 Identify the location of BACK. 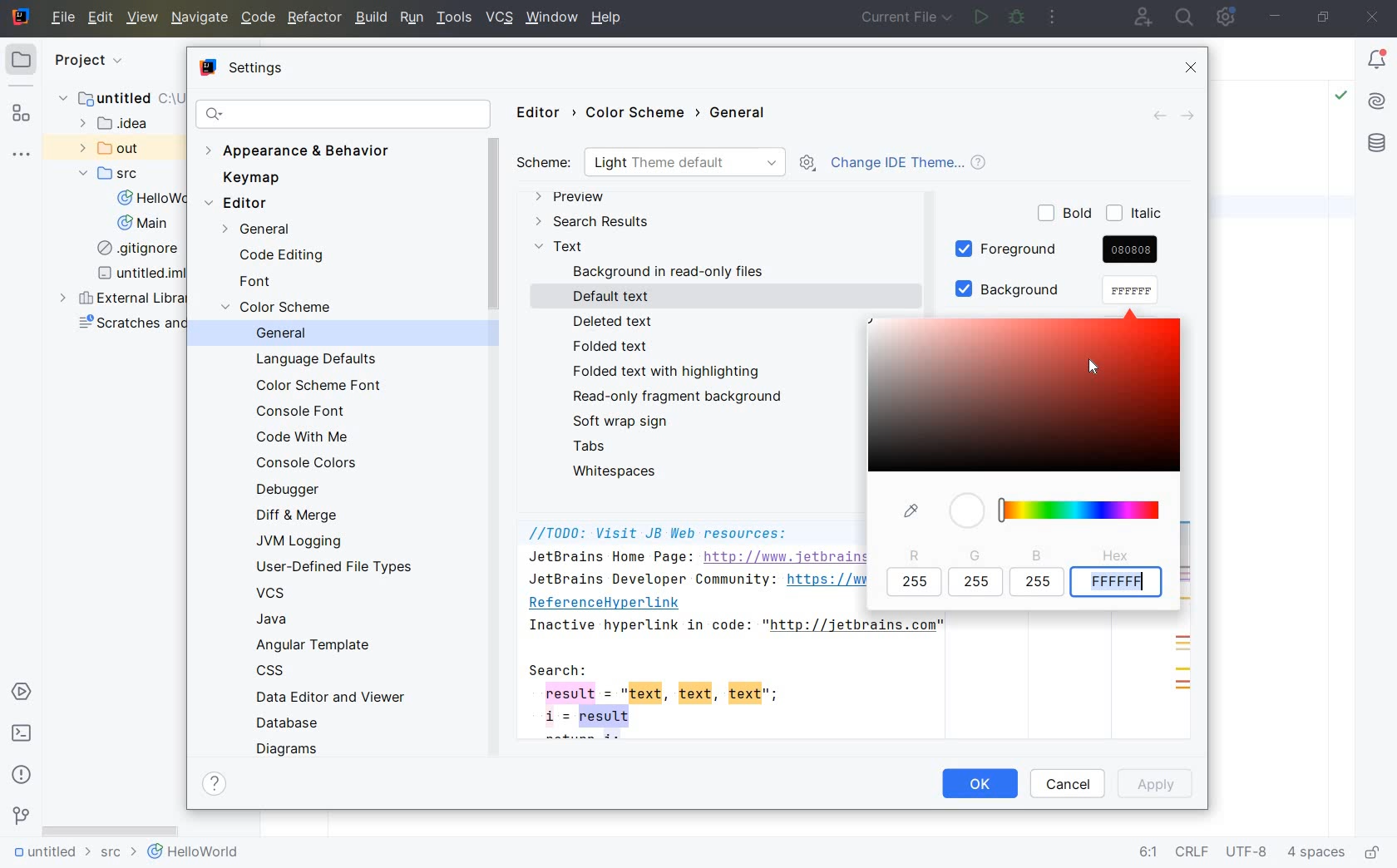
(1153, 116).